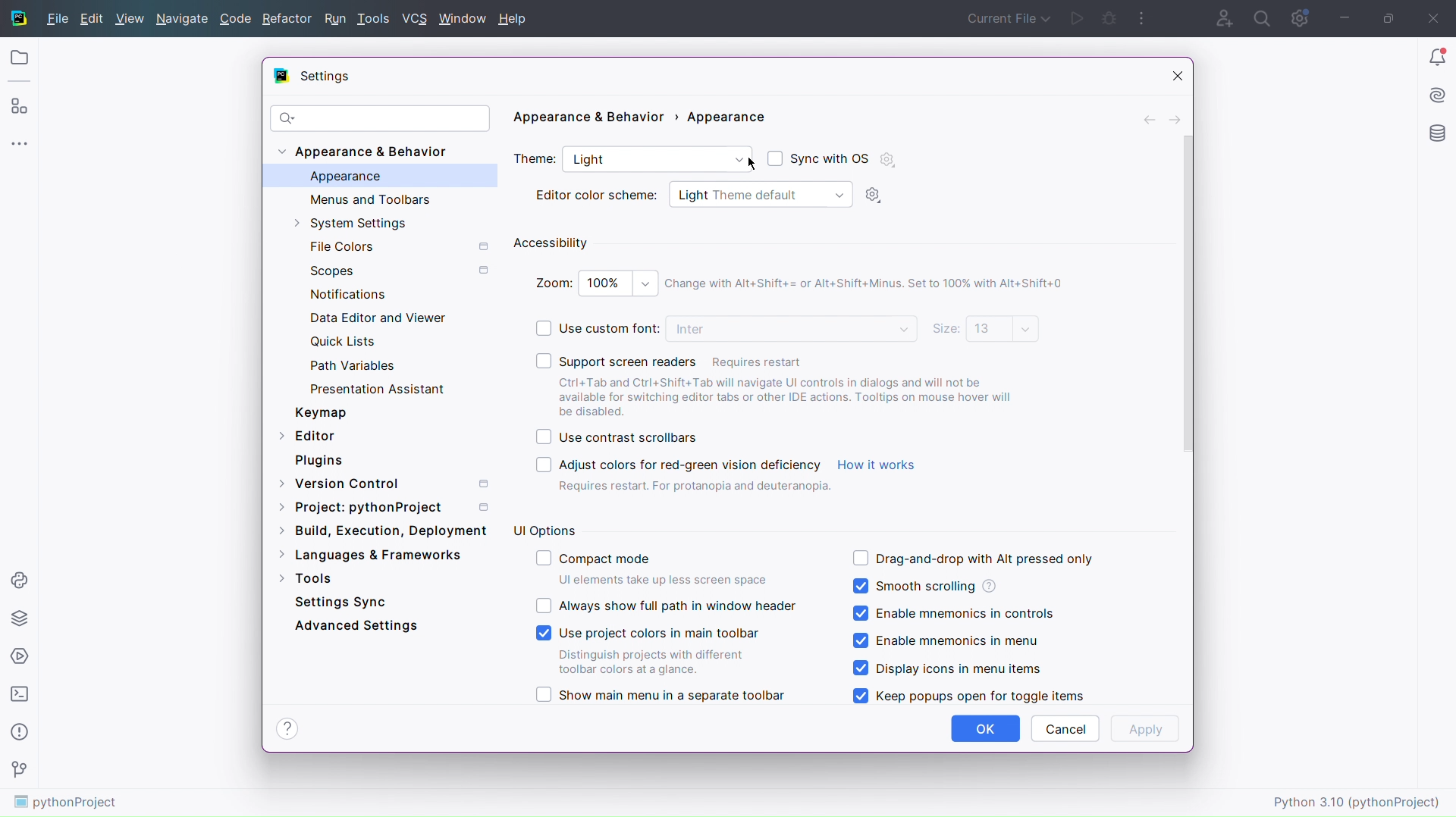 The image size is (1456, 817). Describe the element at coordinates (1359, 800) in the screenshot. I see `Python 3.10 (pythonProject)` at that location.